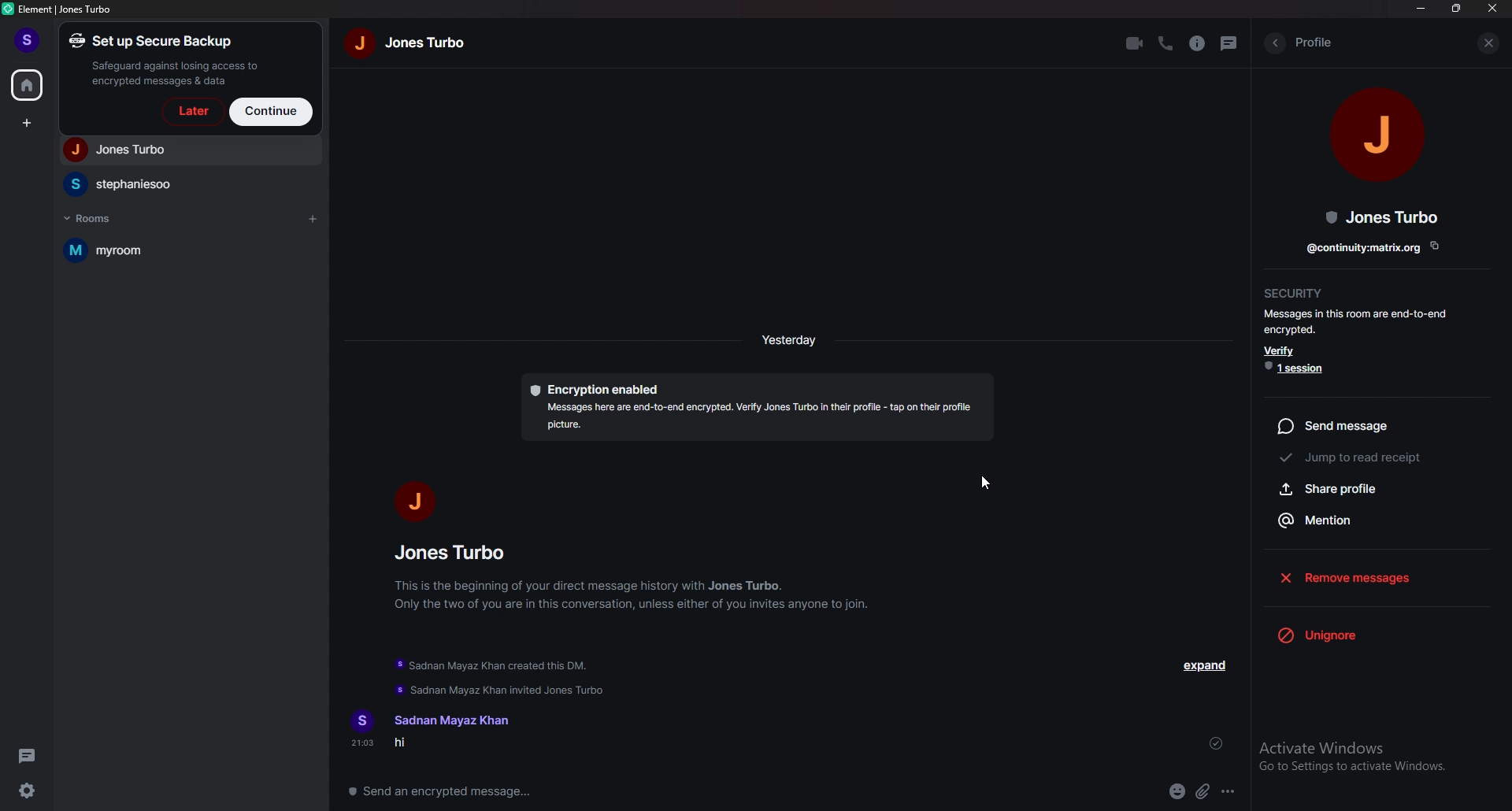  Describe the element at coordinates (187, 150) in the screenshot. I see `people` at that location.